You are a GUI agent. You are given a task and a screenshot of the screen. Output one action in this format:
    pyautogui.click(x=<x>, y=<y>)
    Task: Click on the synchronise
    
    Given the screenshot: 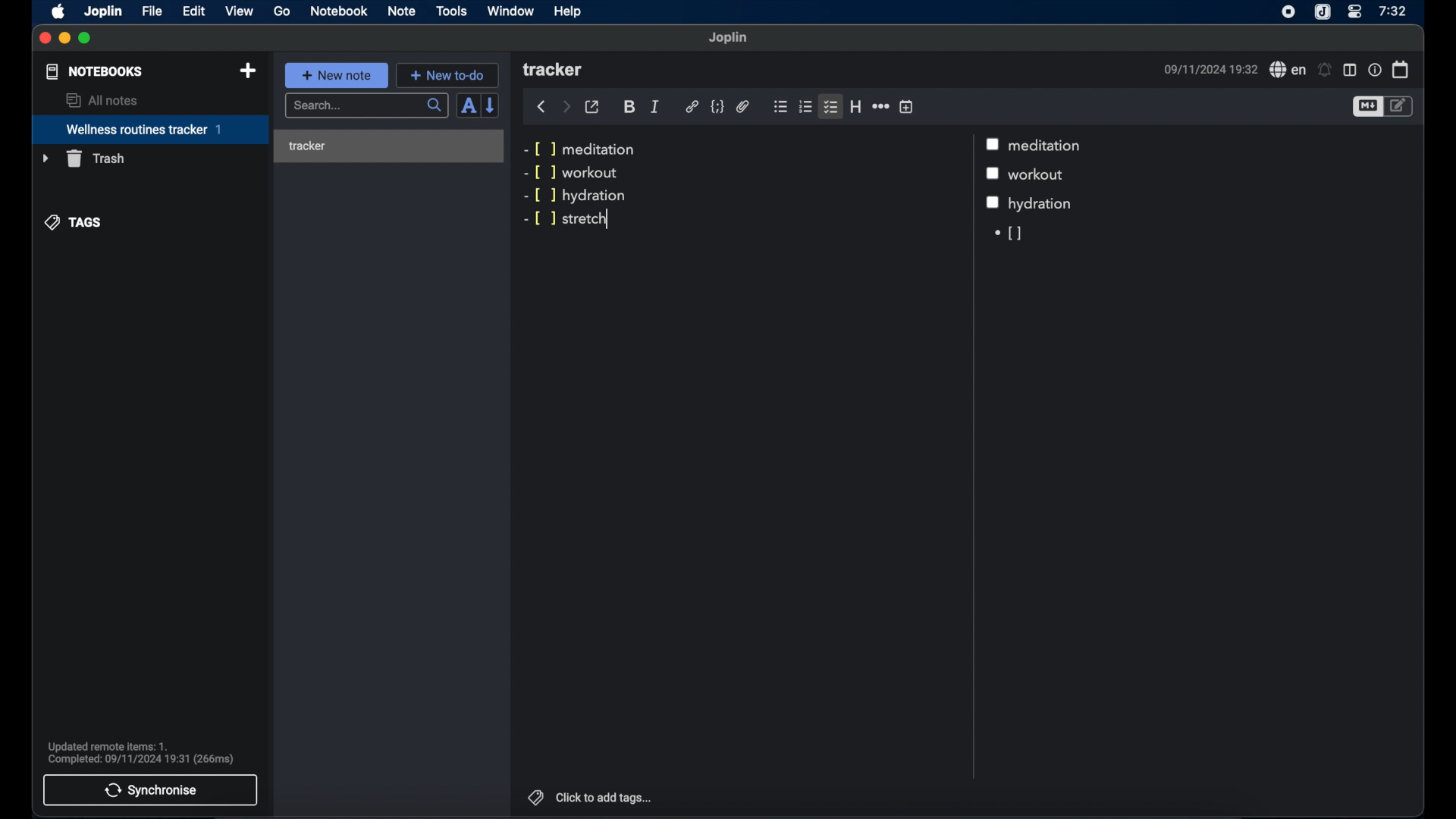 What is the action you would take?
    pyautogui.click(x=151, y=790)
    